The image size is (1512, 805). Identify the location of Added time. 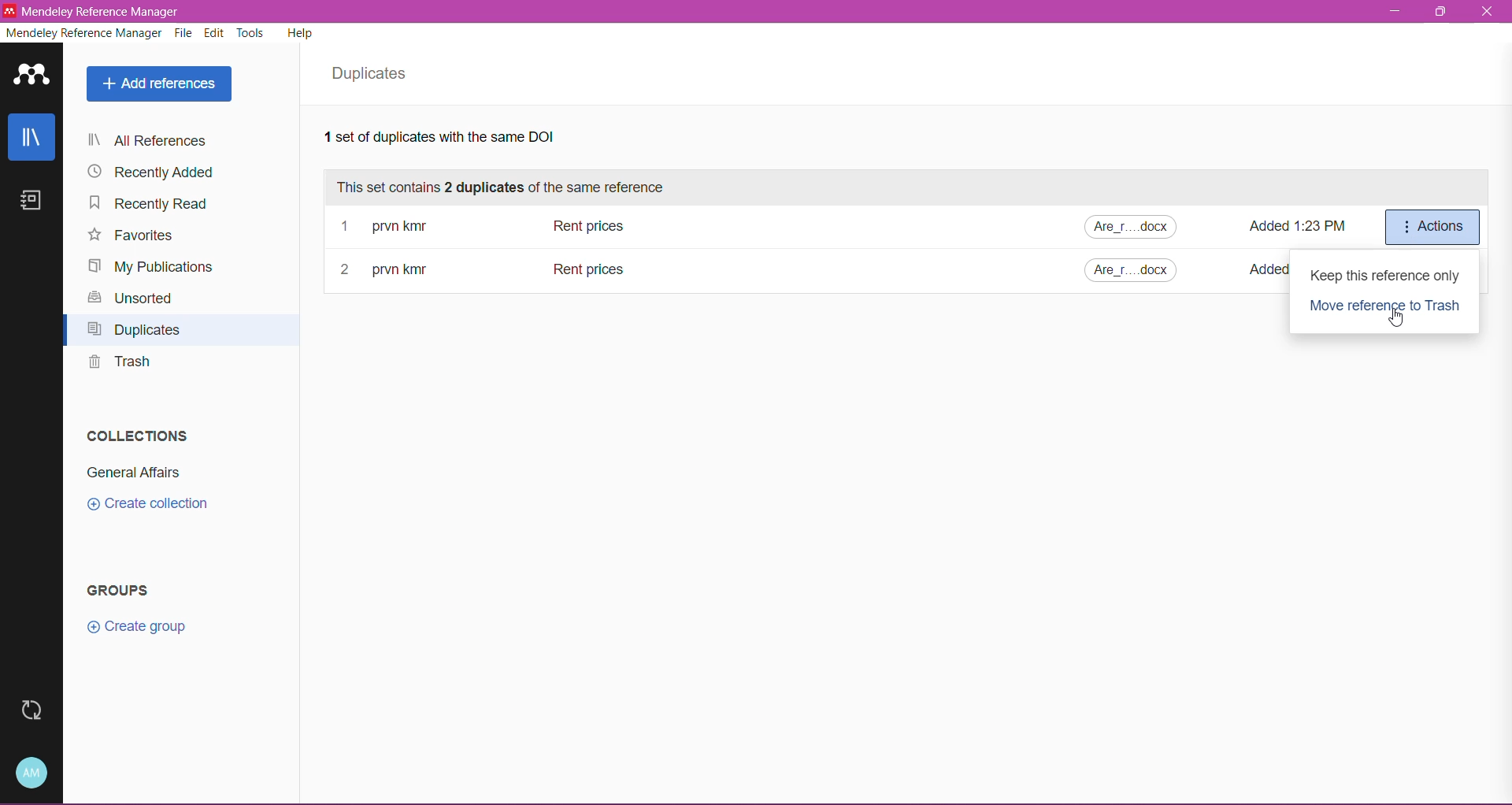
(1304, 232).